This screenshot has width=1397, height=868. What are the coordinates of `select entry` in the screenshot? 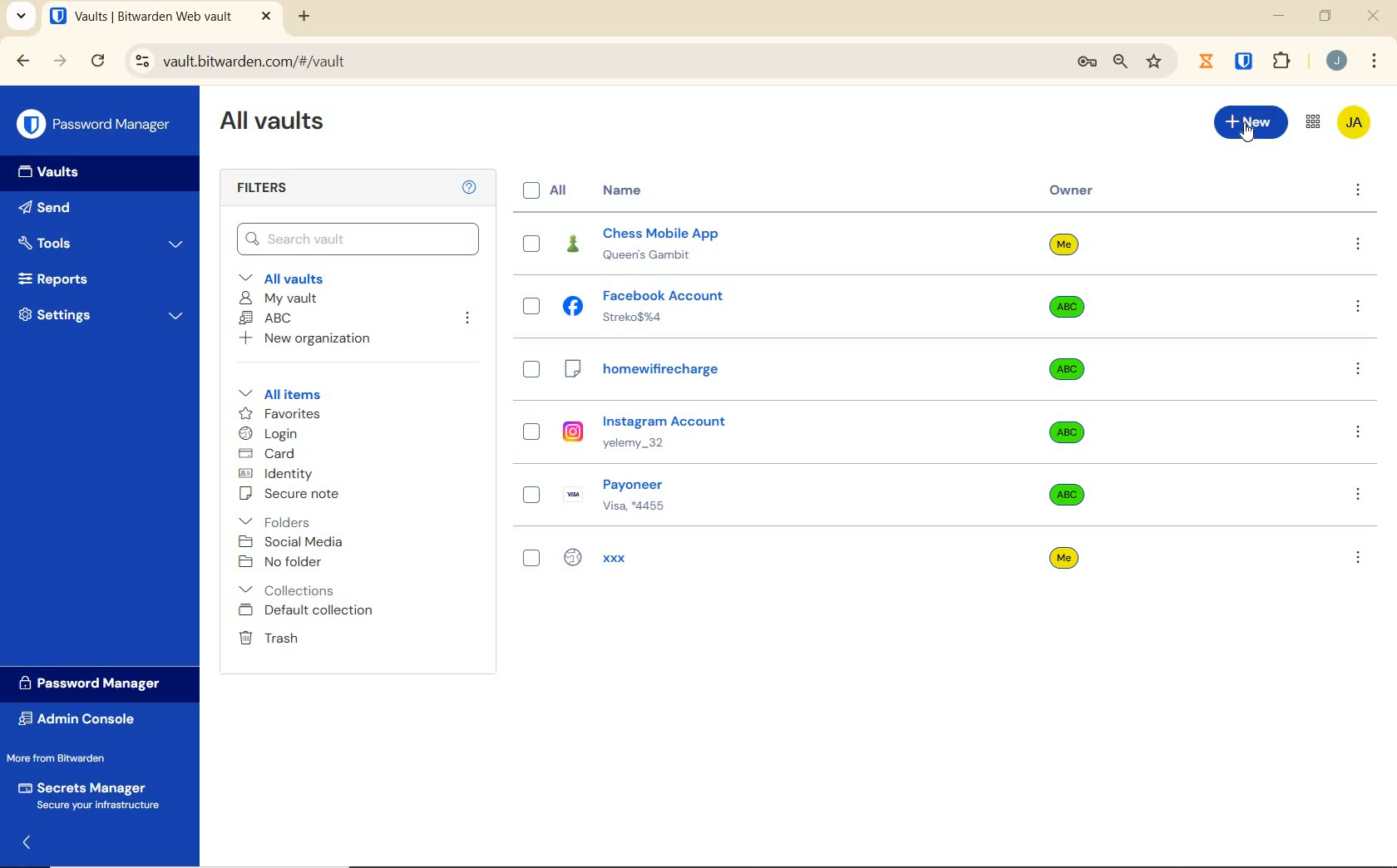 It's located at (530, 495).